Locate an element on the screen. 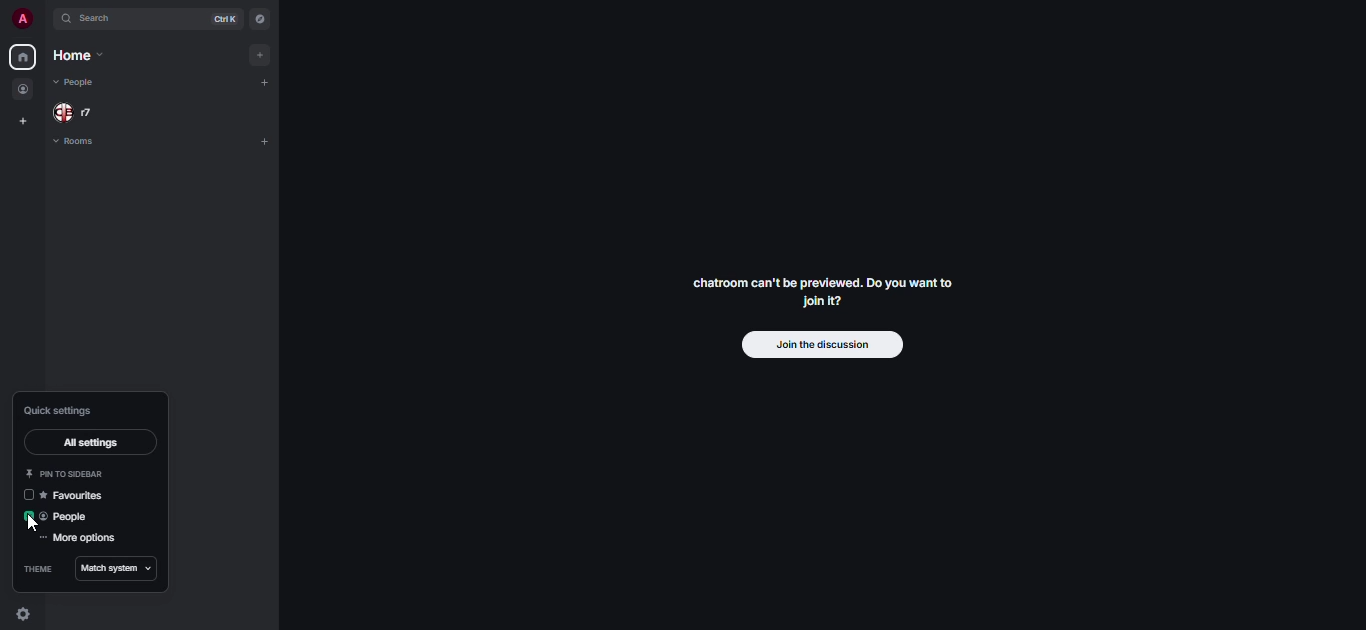 Image resolution: width=1366 pixels, height=630 pixels. enabled is located at coordinates (29, 515).